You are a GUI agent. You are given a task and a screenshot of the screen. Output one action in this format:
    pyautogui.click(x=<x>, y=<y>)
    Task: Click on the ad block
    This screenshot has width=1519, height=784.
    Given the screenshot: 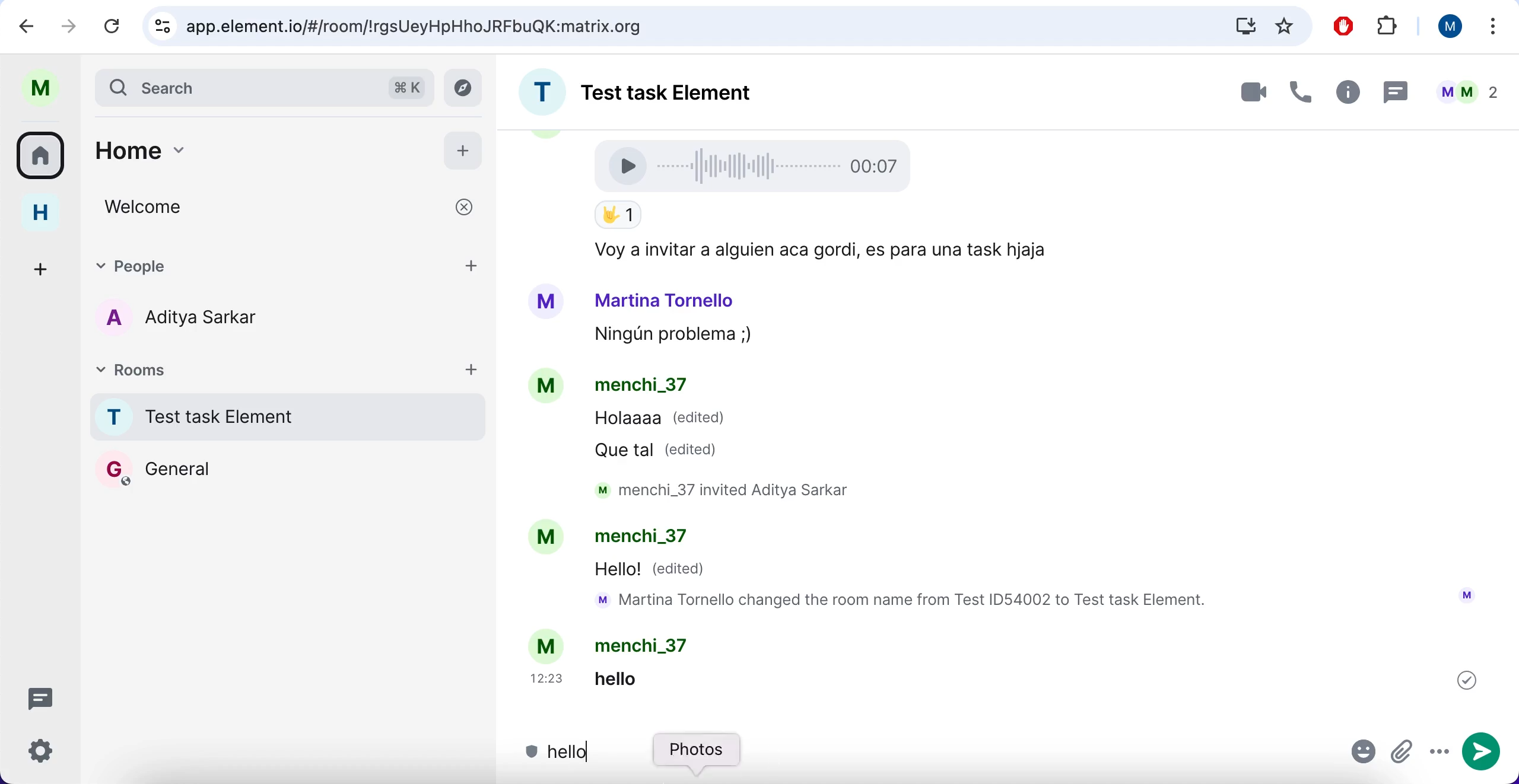 What is the action you would take?
    pyautogui.click(x=1346, y=27)
    